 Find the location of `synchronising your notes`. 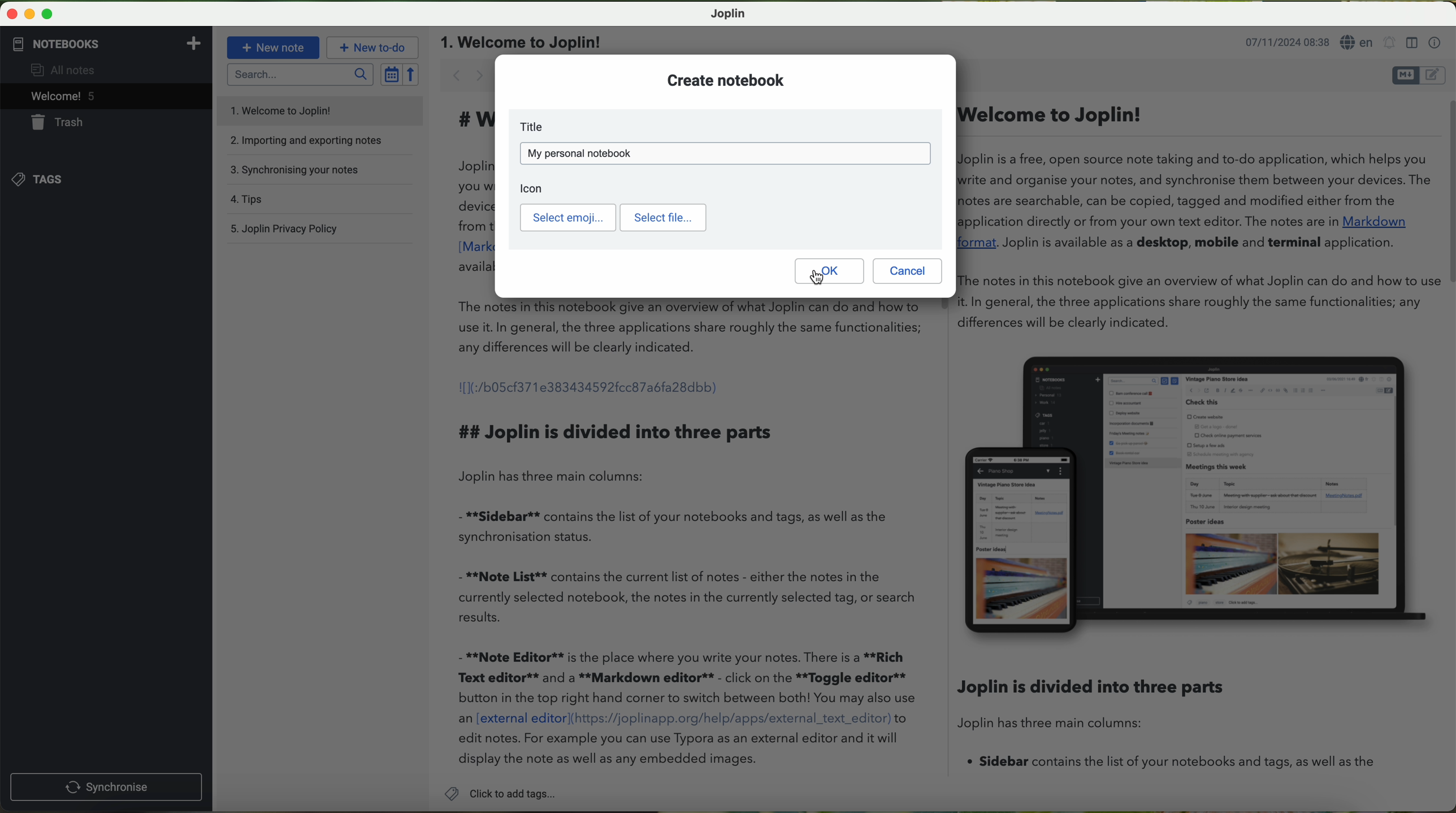

synchronising your notes is located at coordinates (300, 171).